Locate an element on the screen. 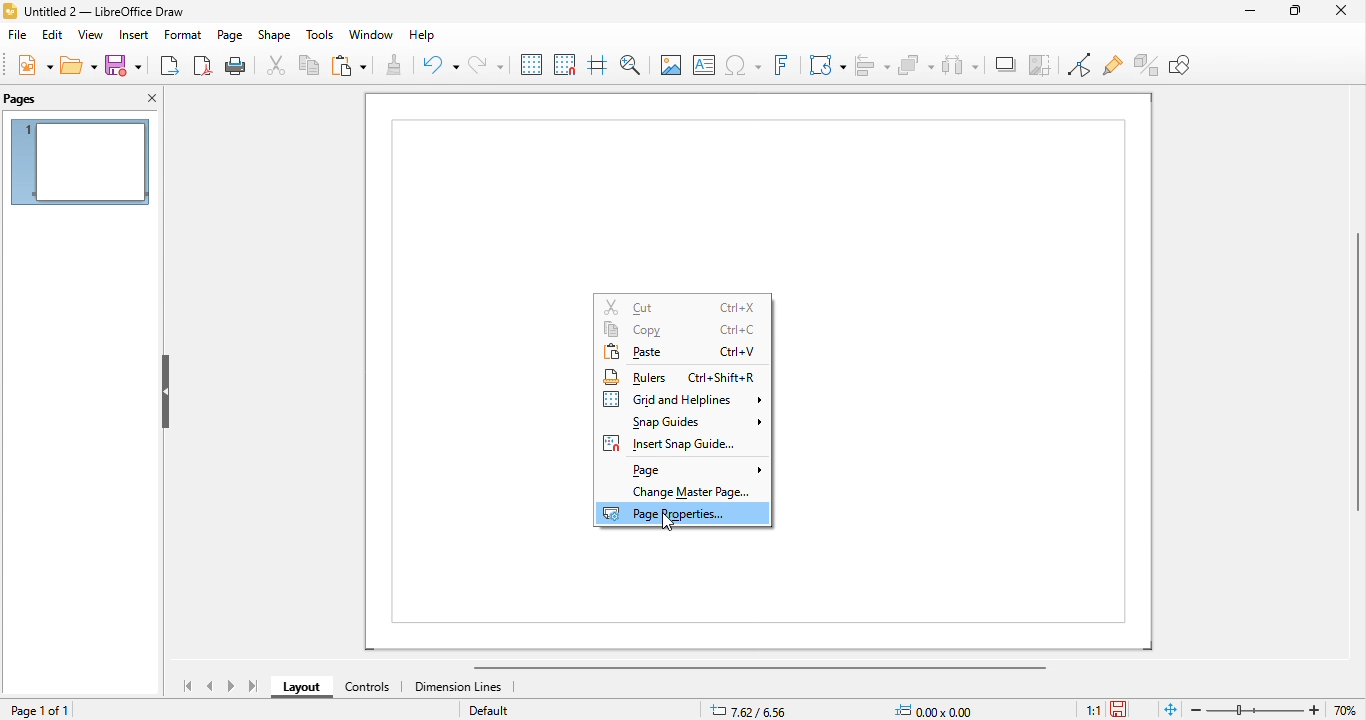  save is located at coordinates (125, 65).